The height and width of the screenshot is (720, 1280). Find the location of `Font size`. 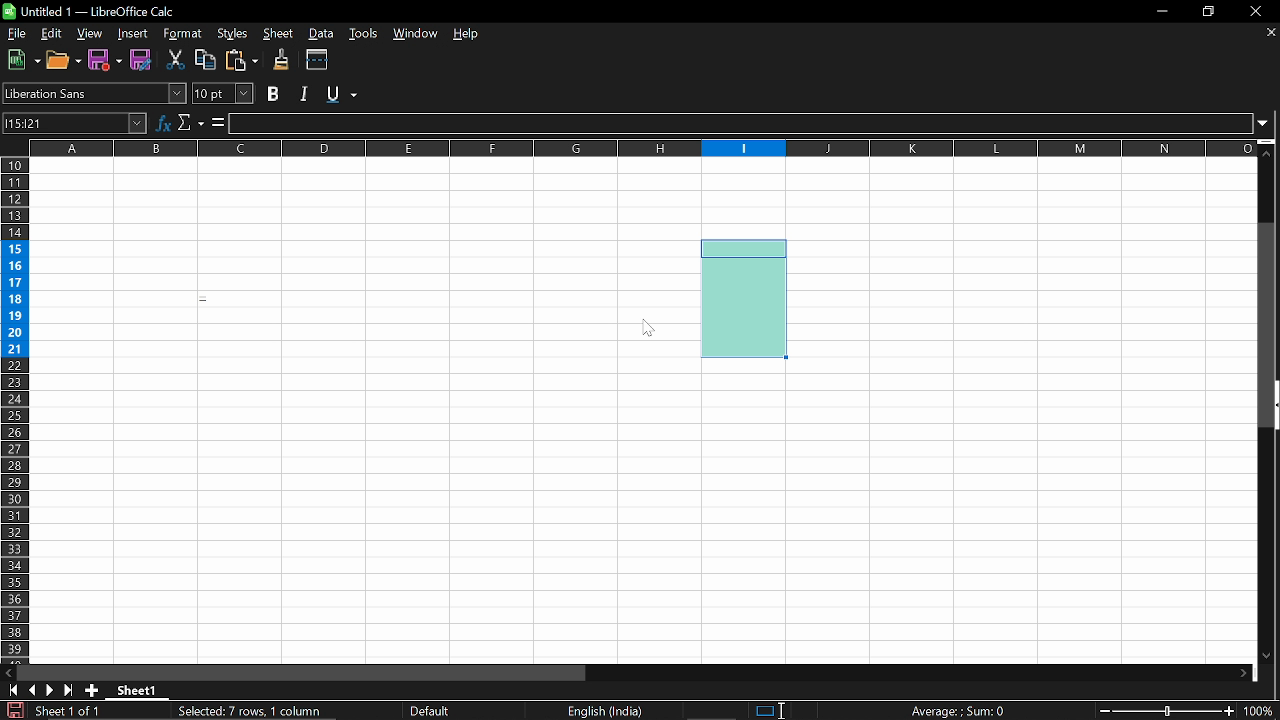

Font size is located at coordinates (225, 94).